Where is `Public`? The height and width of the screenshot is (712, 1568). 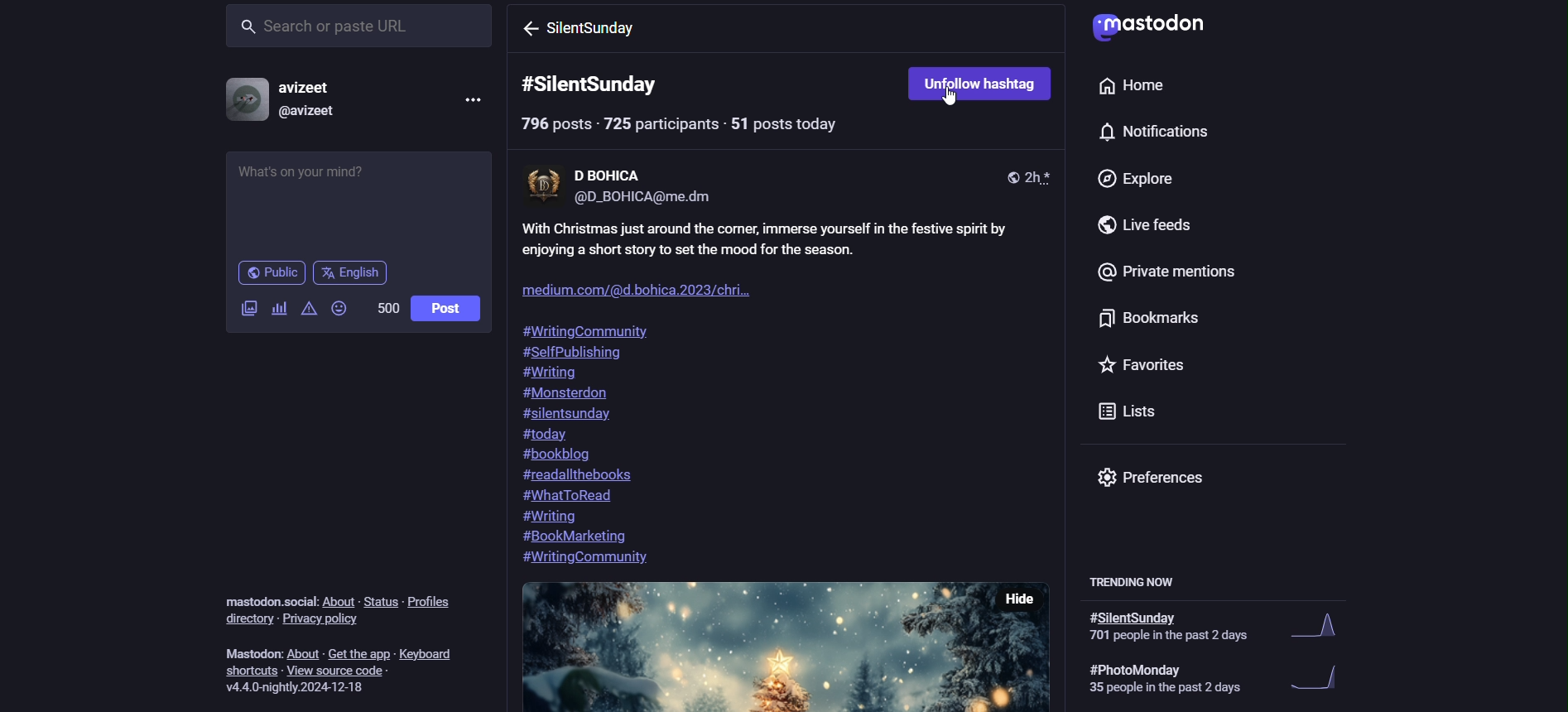
Public is located at coordinates (270, 273).